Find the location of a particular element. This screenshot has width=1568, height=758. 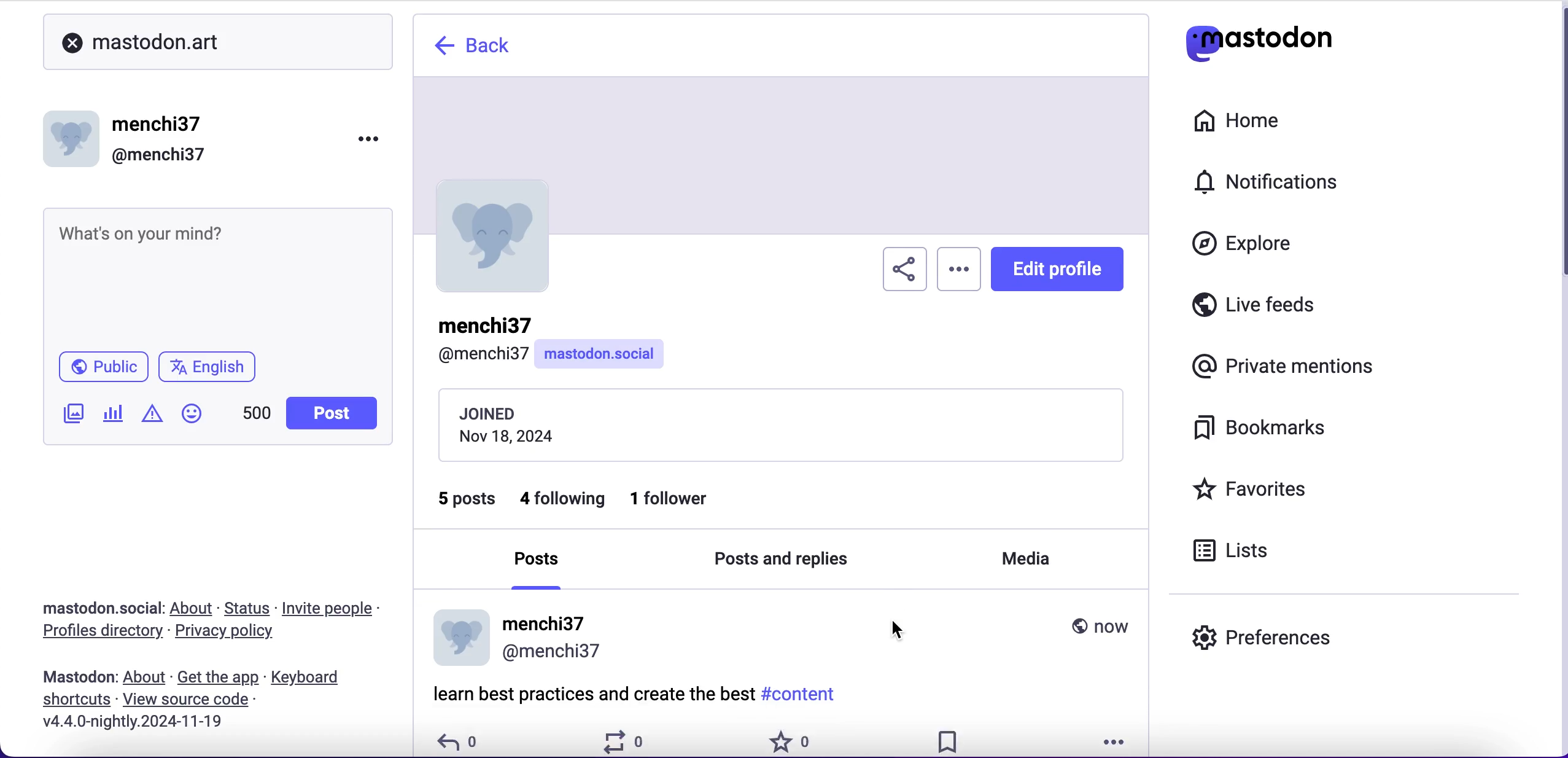

options is located at coordinates (375, 138).